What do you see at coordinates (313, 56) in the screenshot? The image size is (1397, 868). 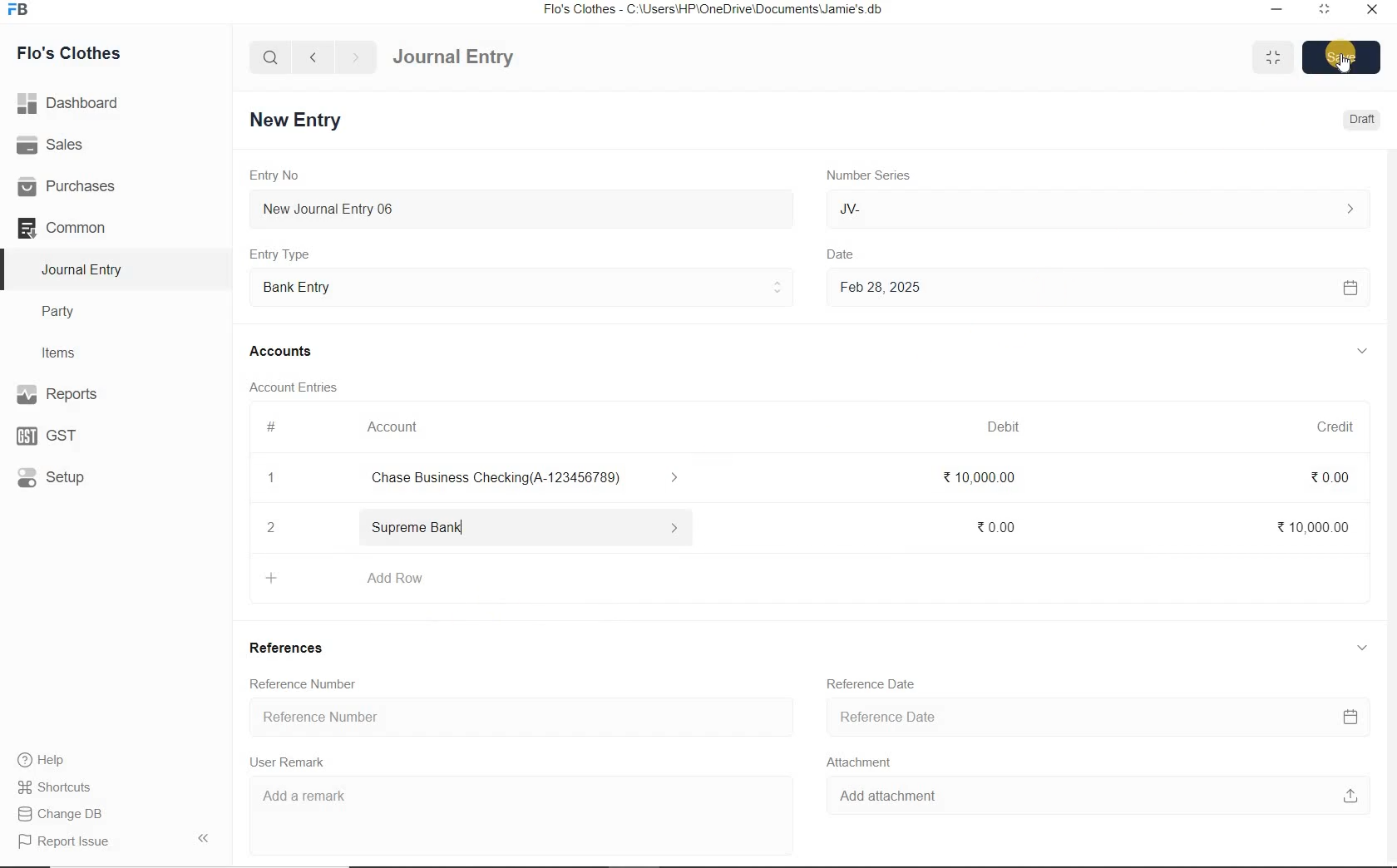 I see `back` at bounding box center [313, 56].